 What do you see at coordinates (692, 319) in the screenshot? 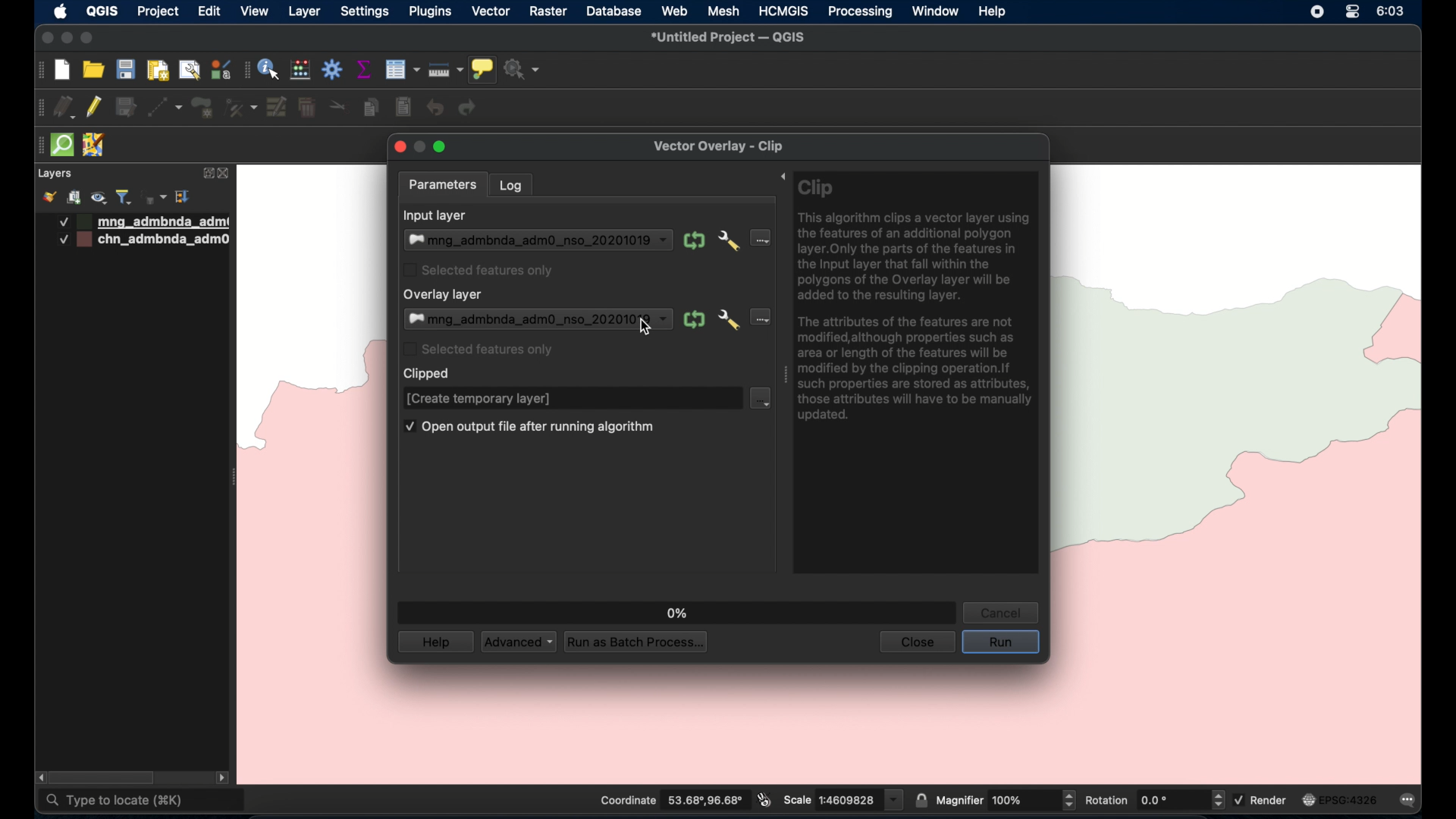
I see `iterate over this layer` at bounding box center [692, 319].